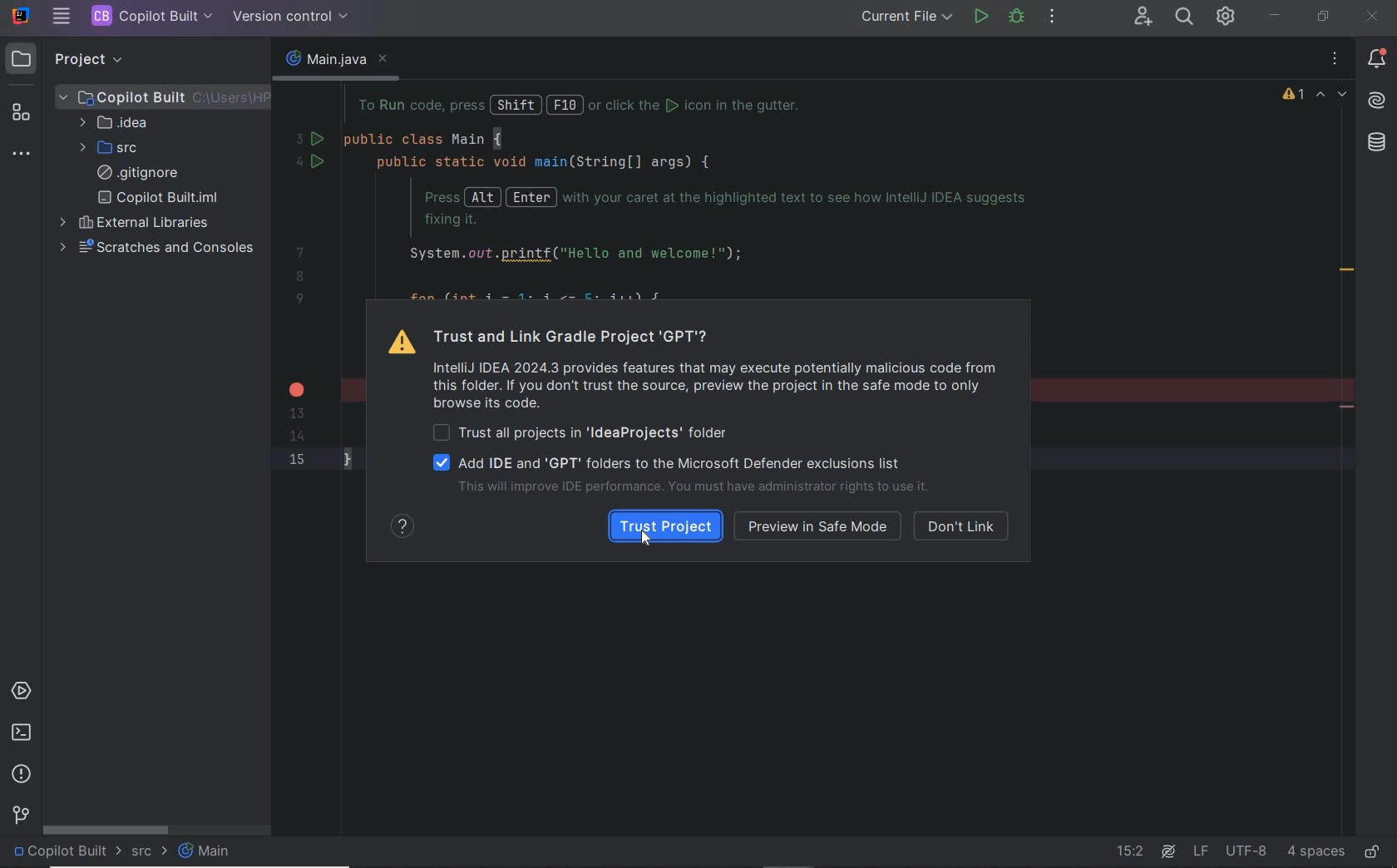 The width and height of the screenshot is (1397, 868). What do you see at coordinates (1184, 17) in the screenshot?
I see `SEARCH EVERYWHERE` at bounding box center [1184, 17].